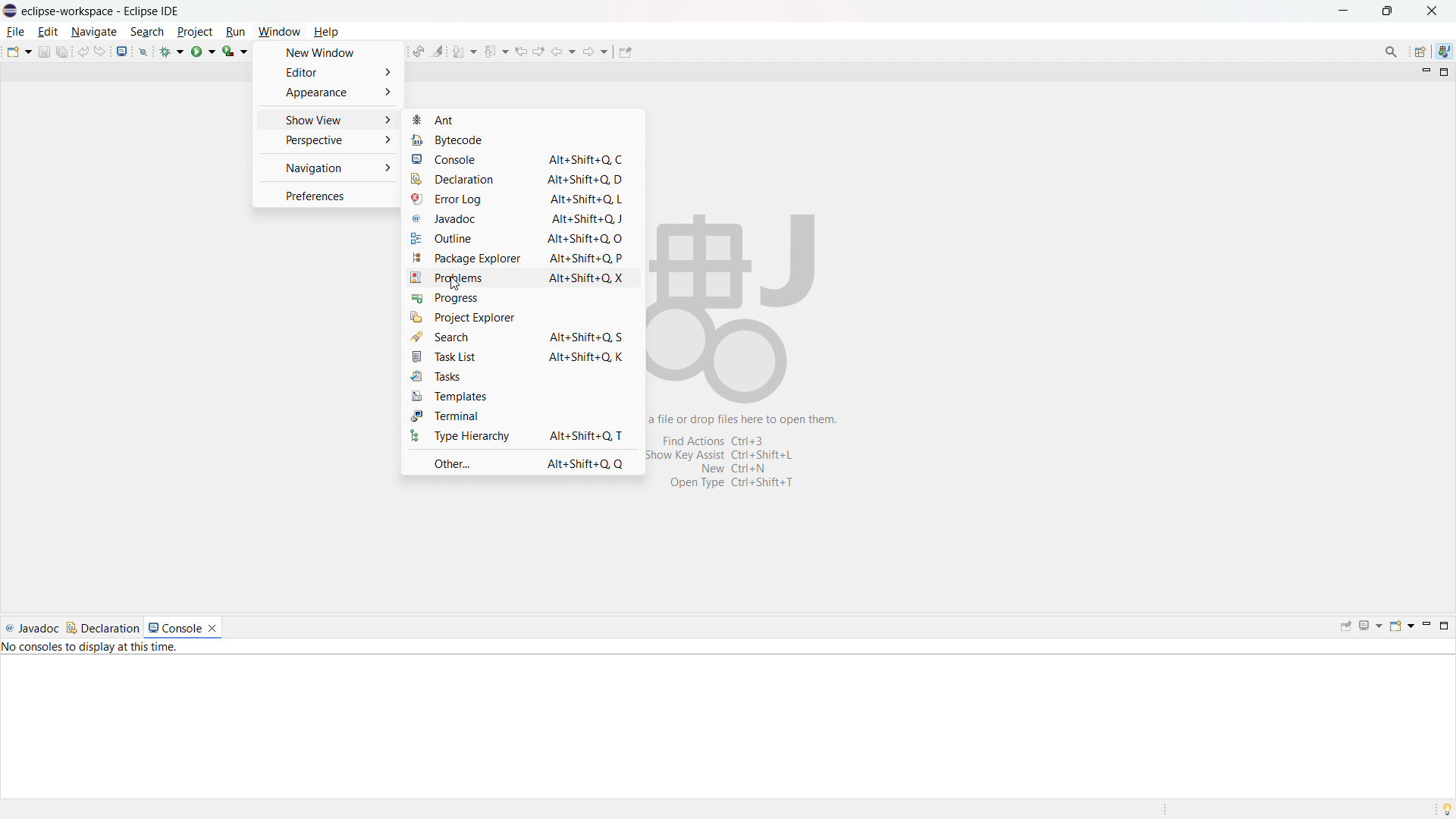 This screenshot has width=1456, height=819. I want to click on pin editor, so click(626, 53).